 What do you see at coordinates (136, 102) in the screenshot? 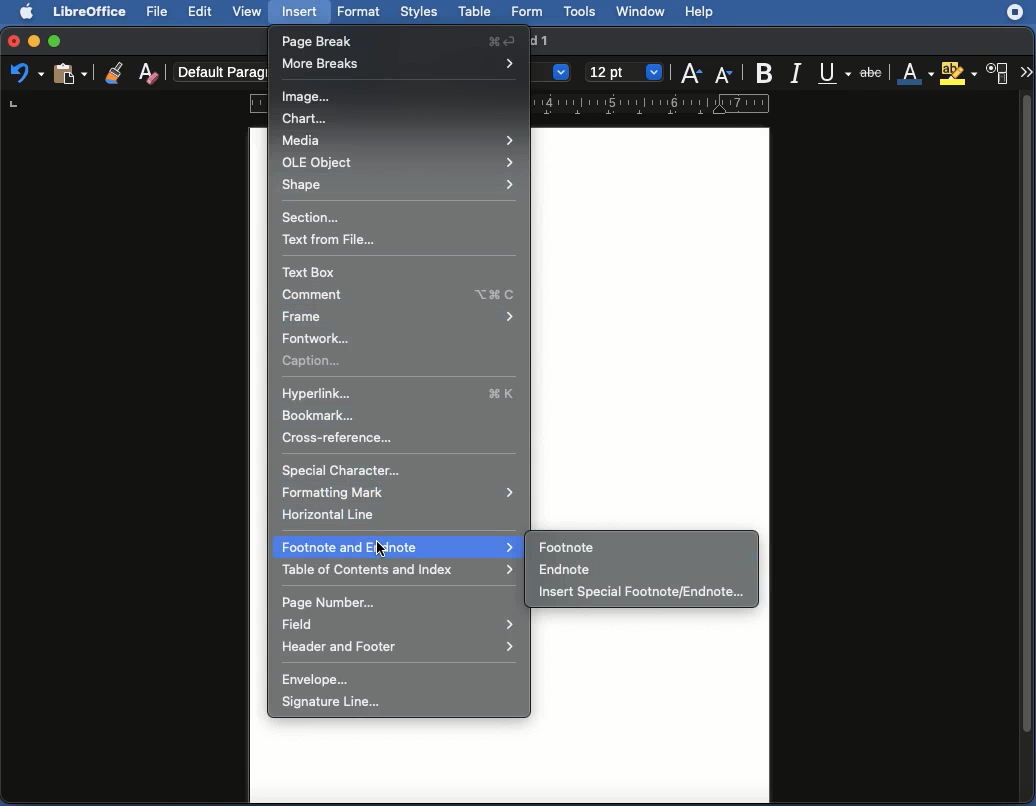
I see `Ruler` at bounding box center [136, 102].